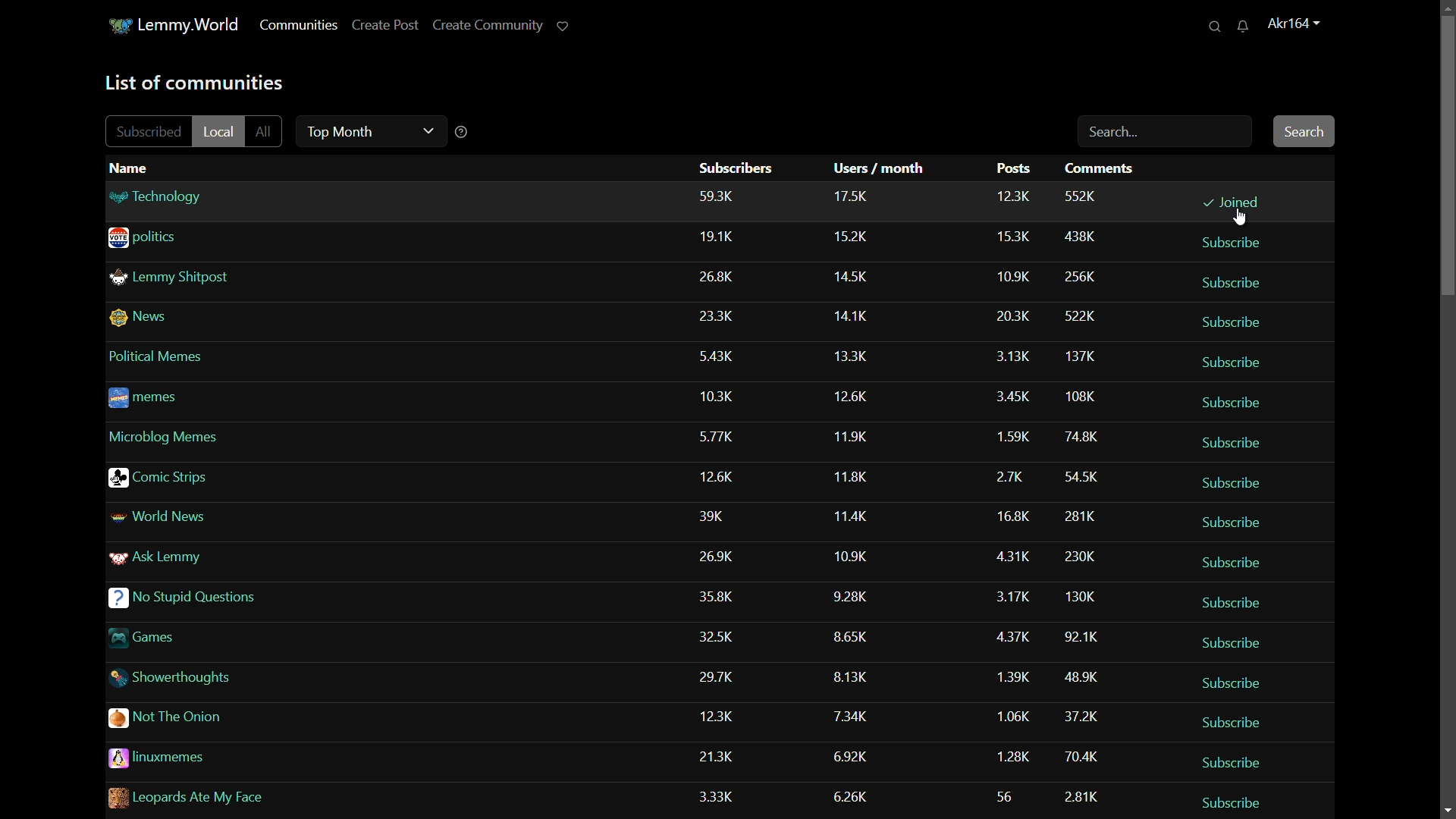  What do you see at coordinates (1011, 170) in the screenshot?
I see `posts` at bounding box center [1011, 170].